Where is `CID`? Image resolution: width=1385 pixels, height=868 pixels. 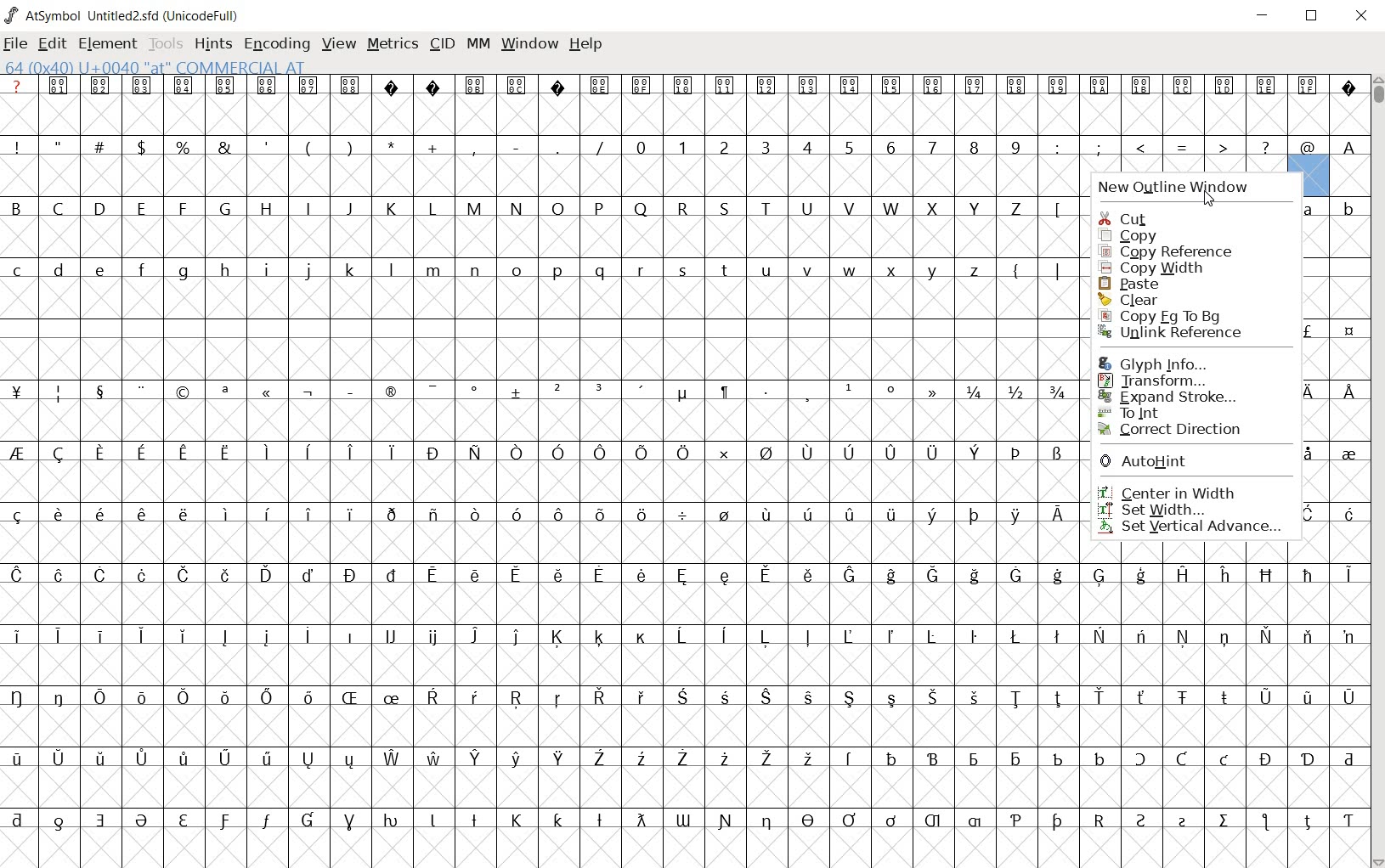 CID is located at coordinates (439, 43).